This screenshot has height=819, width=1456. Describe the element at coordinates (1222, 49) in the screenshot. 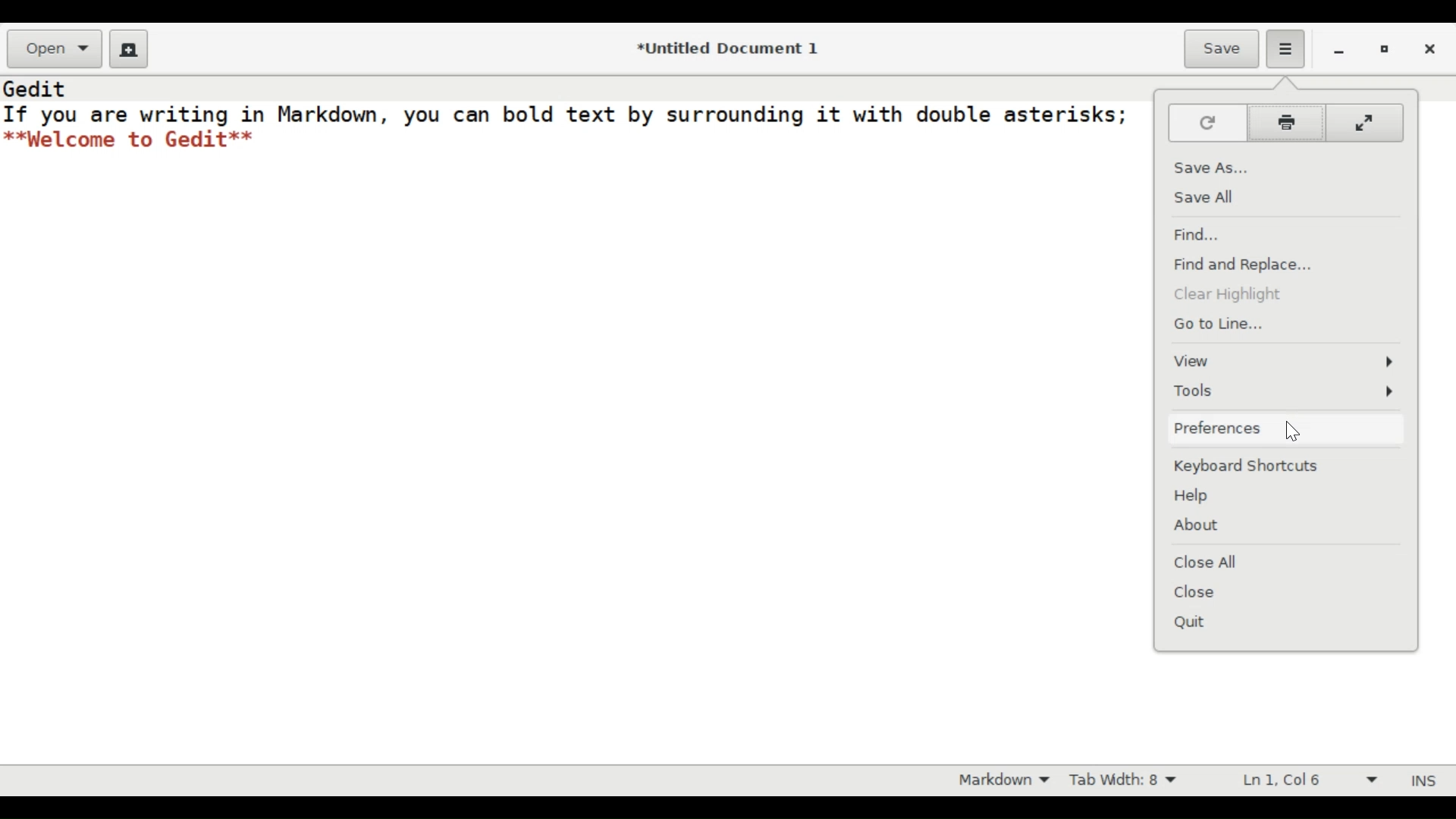

I see `Save` at that location.